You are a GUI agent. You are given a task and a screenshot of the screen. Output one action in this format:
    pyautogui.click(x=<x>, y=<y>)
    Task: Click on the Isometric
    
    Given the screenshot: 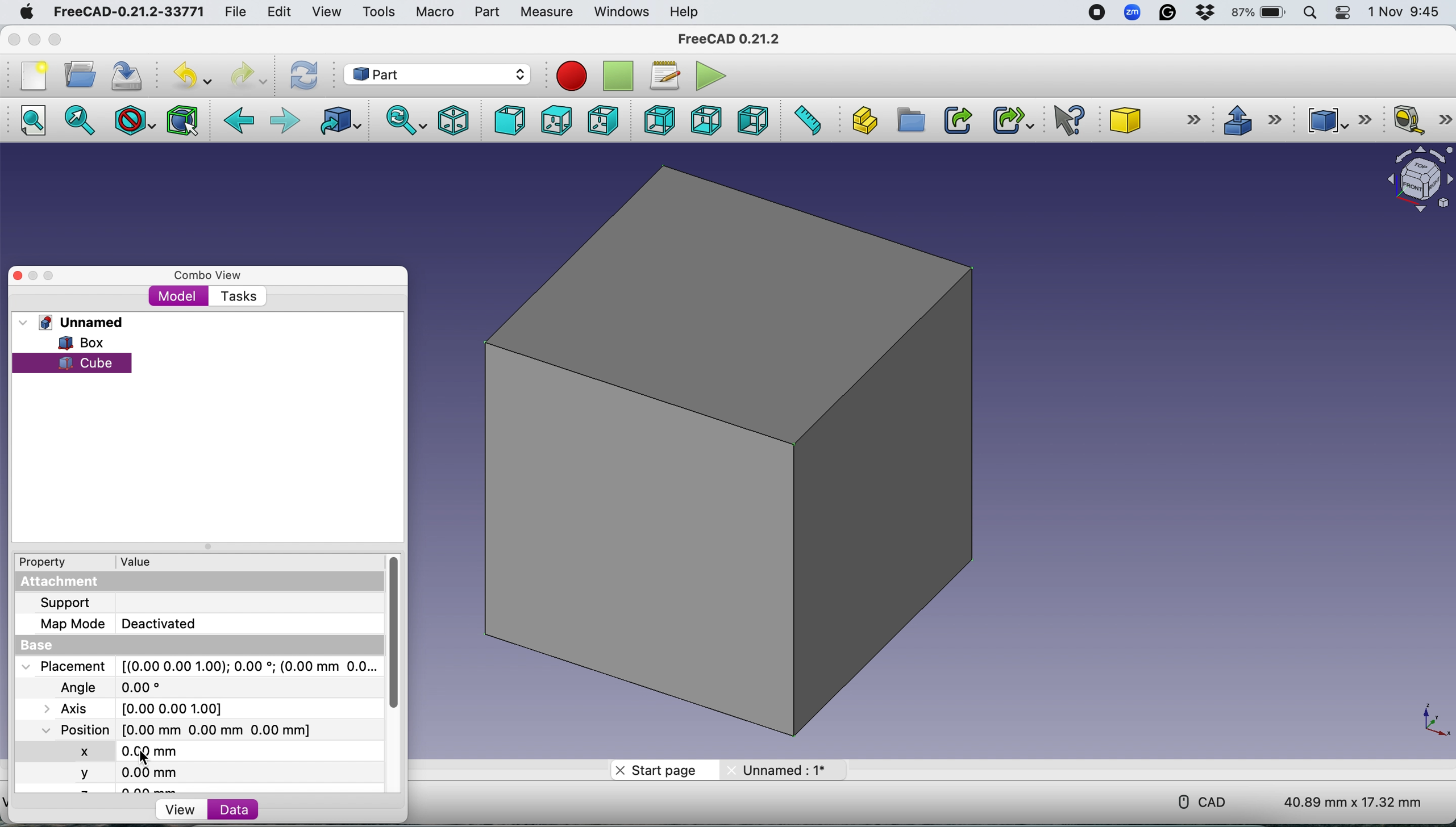 What is the action you would take?
    pyautogui.click(x=454, y=119)
    